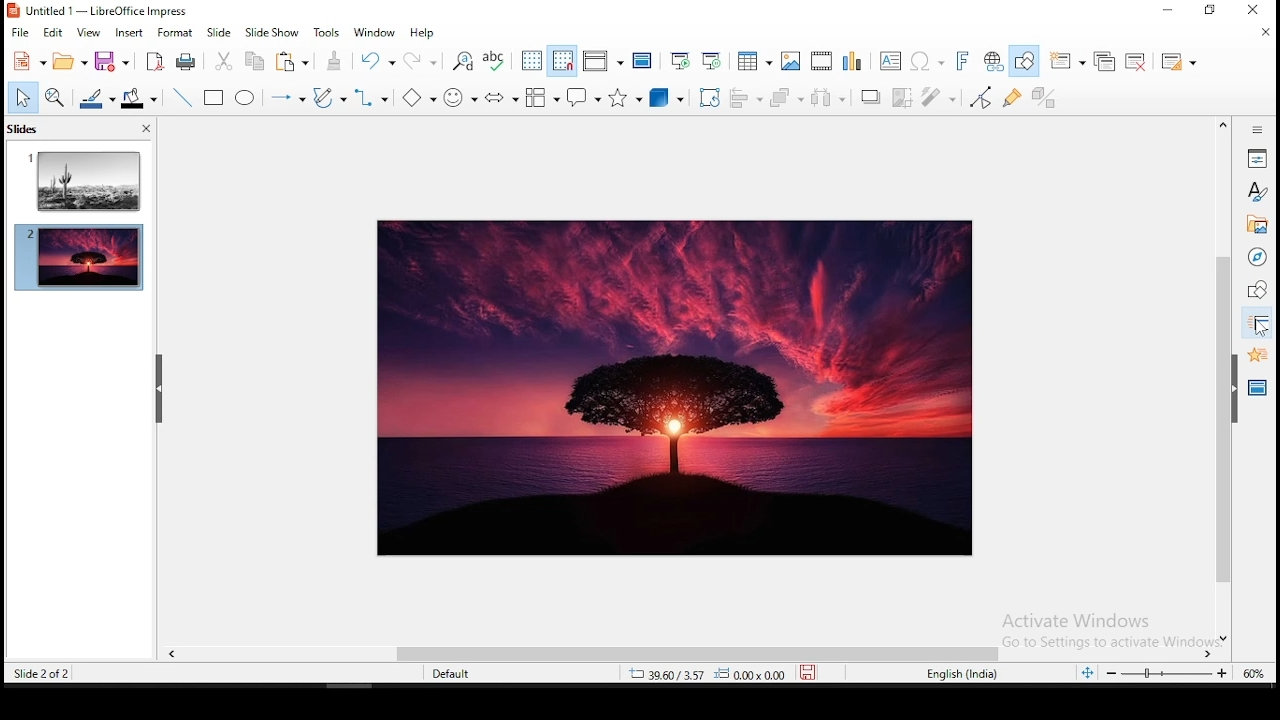  I want to click on find and replace, so click(465, 61).